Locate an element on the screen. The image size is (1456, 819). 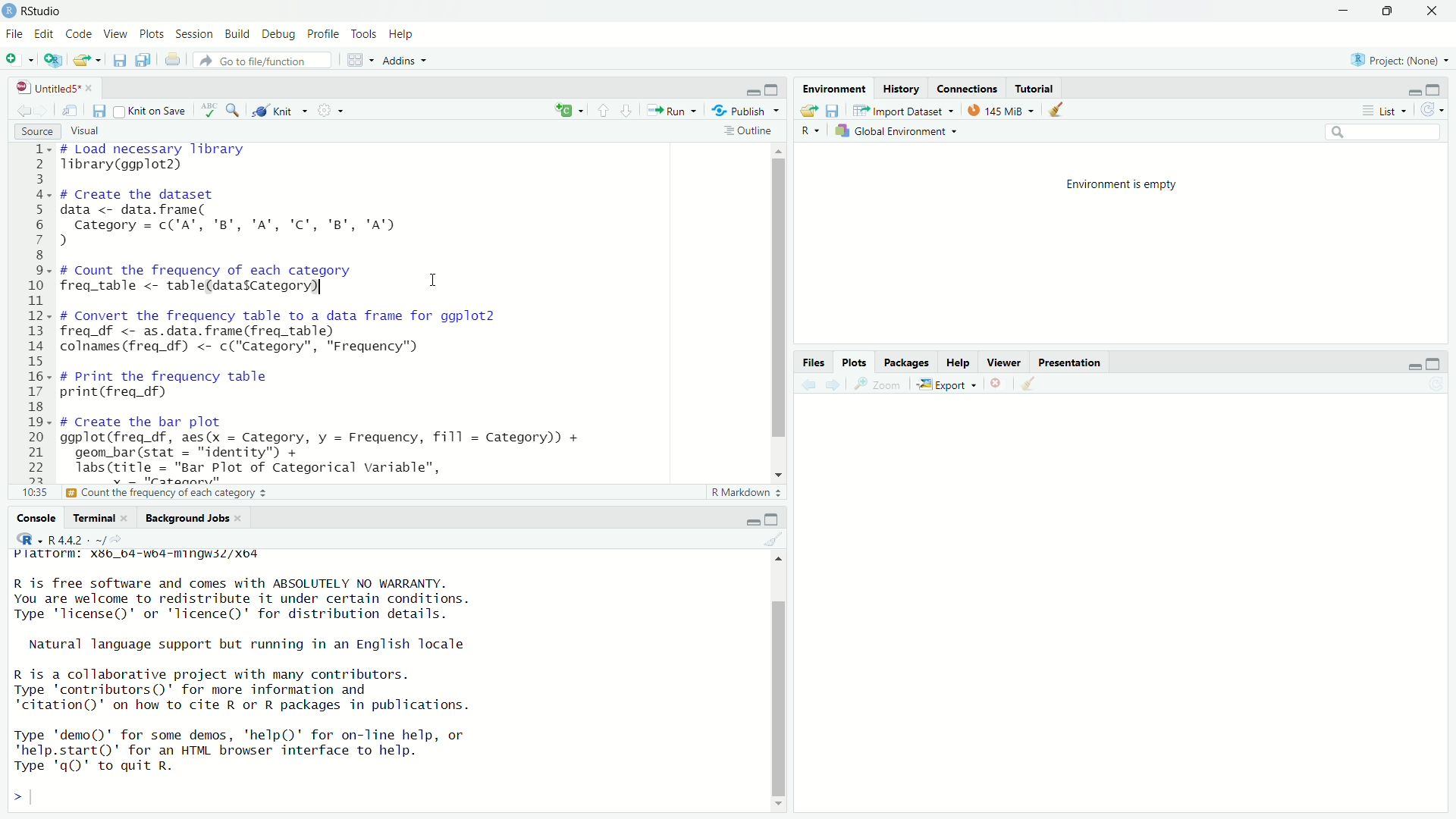
packages is located at coordinates (906, 362).